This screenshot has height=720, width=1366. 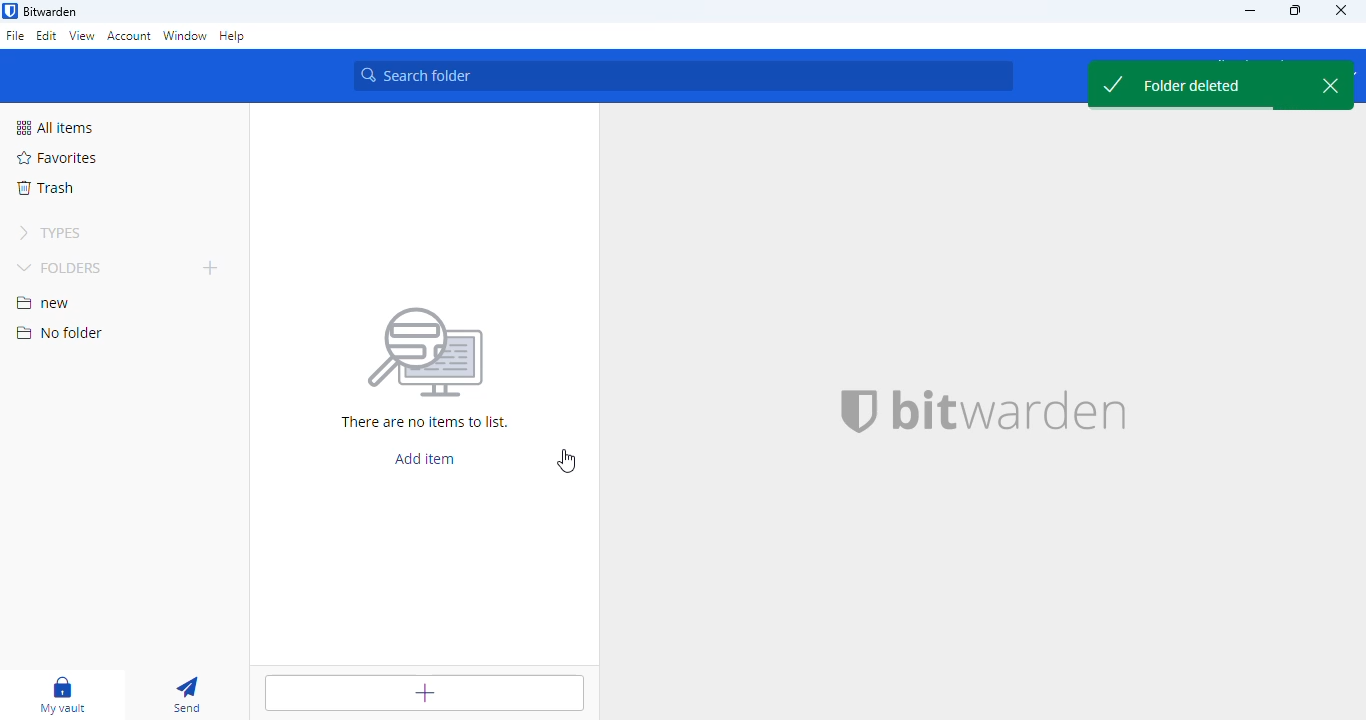 I want to click on bitwarden logo, so click(x=857, y=408).